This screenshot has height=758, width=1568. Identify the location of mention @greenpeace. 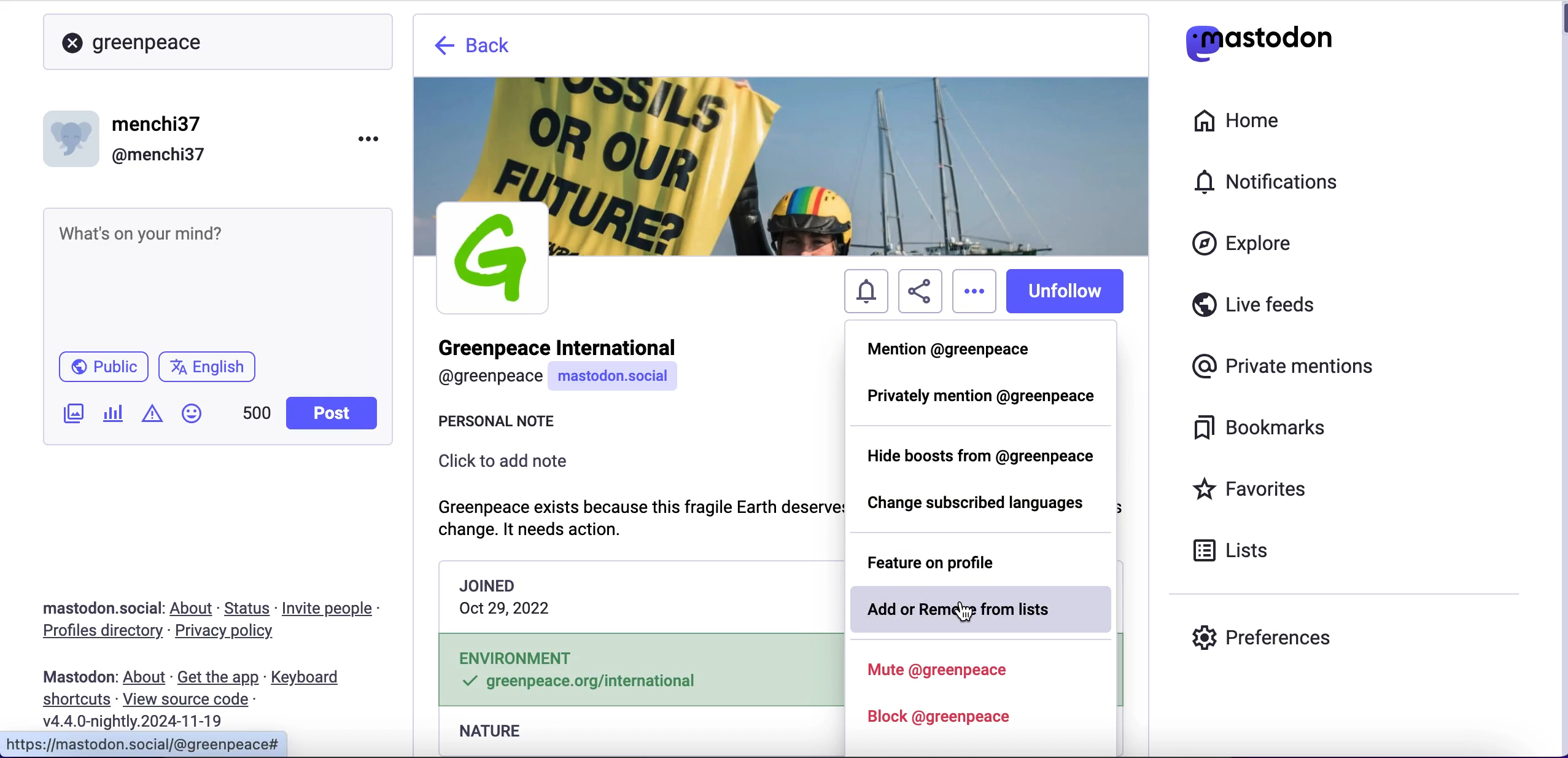
(963, 346).